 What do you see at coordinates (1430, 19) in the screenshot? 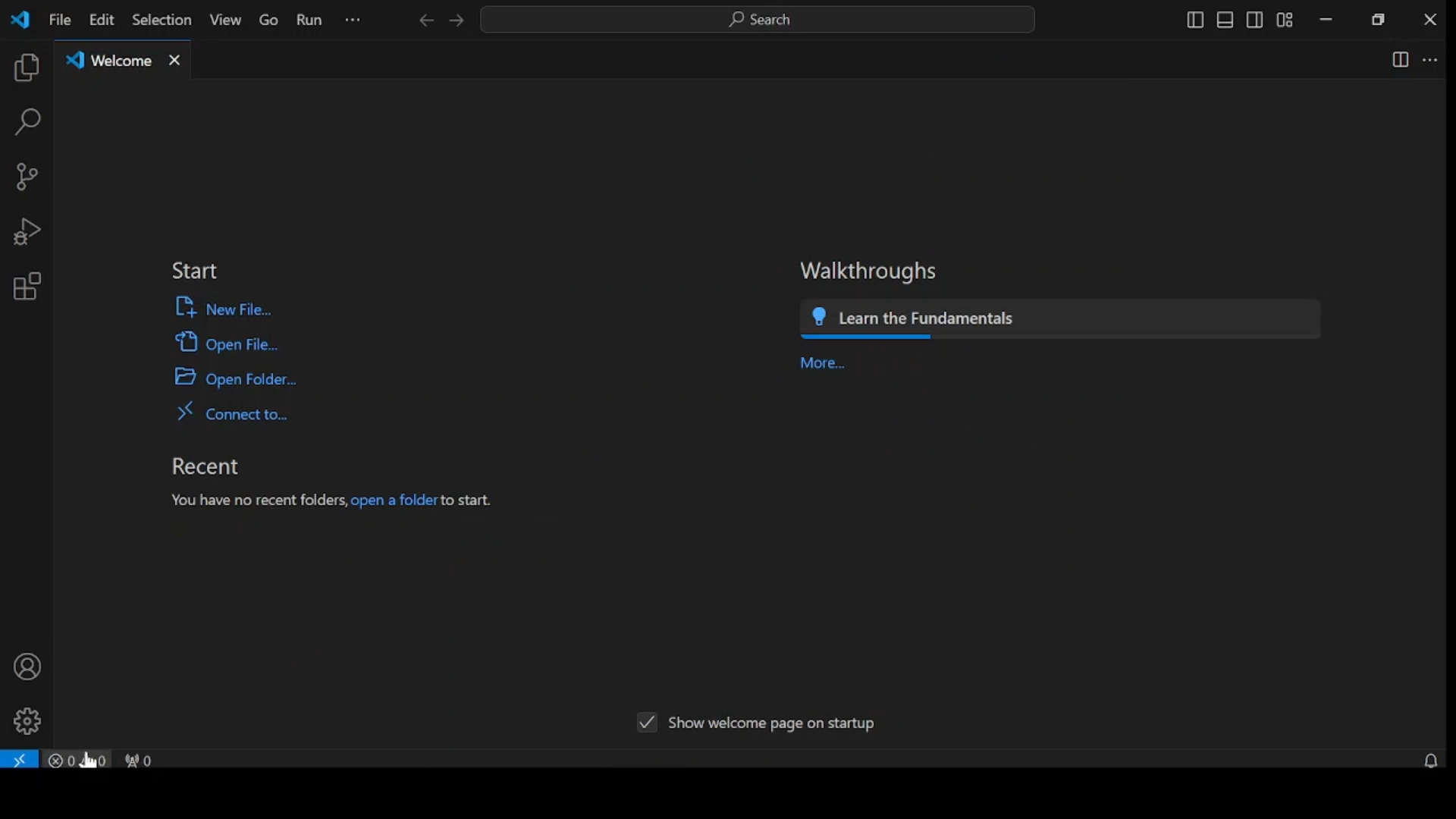
I see `close` at bounding box center [1430, 19].